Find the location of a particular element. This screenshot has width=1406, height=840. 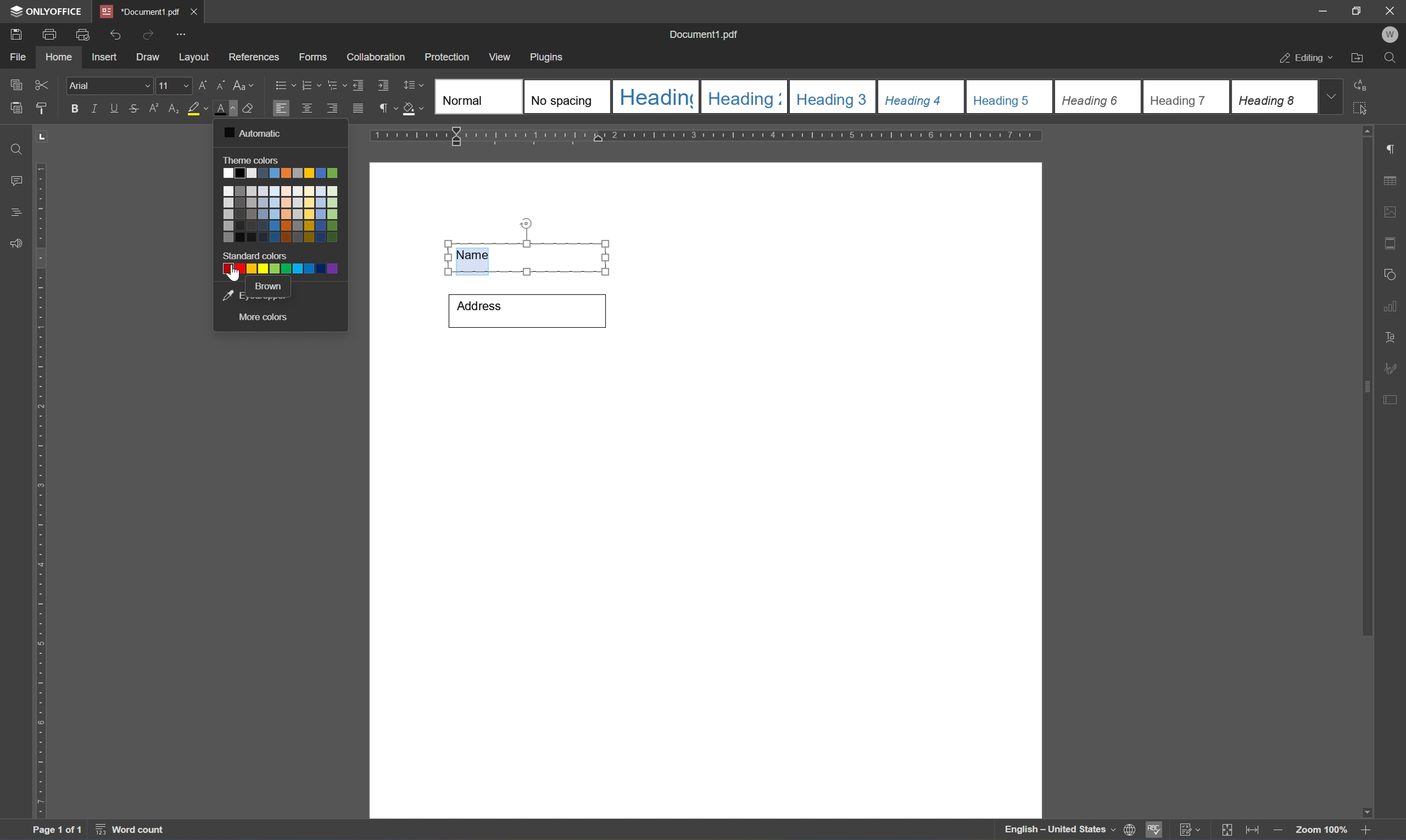

editing is located at coordinates (1302, 59).